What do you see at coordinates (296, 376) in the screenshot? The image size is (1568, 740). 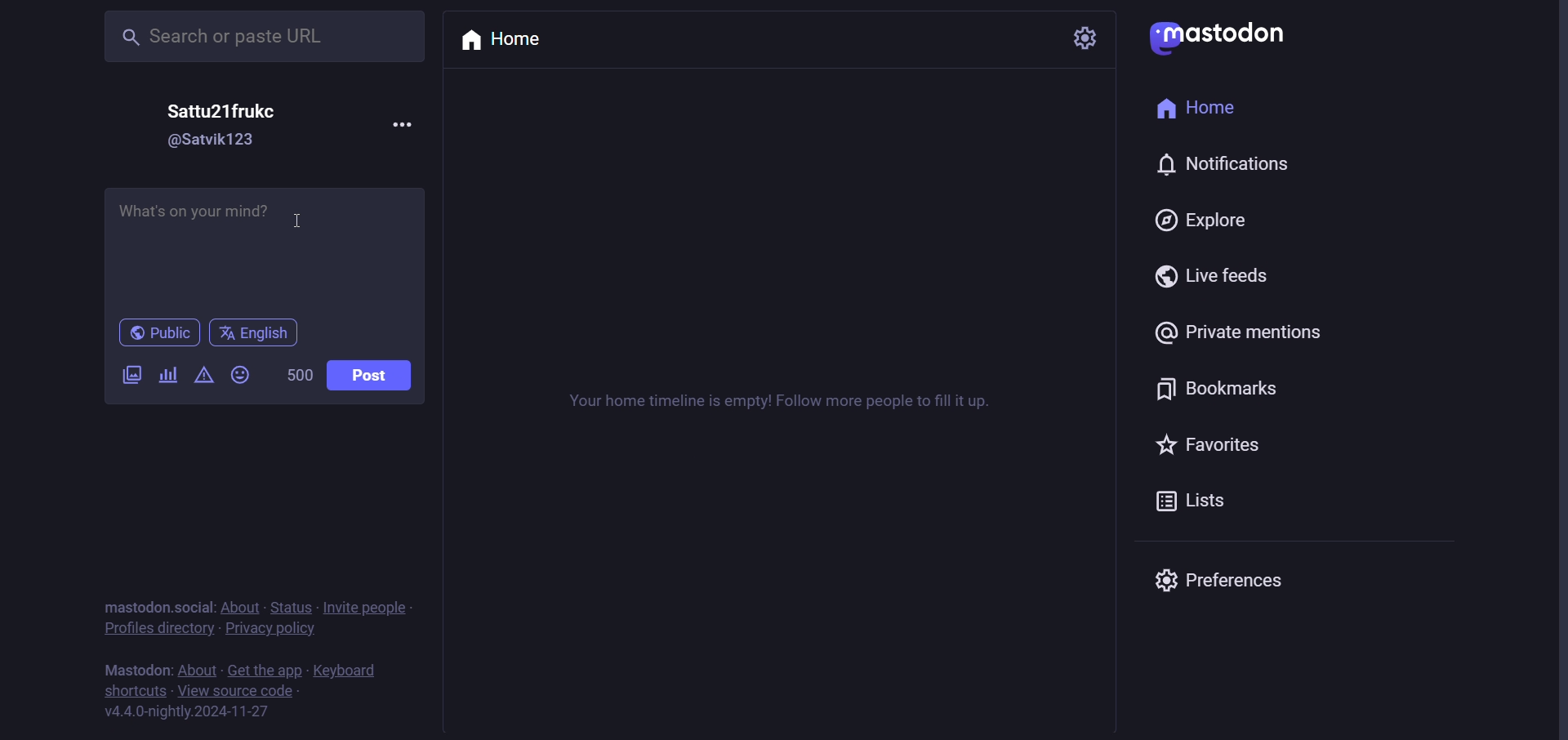 I see `500` at bounding box center [296, 376].